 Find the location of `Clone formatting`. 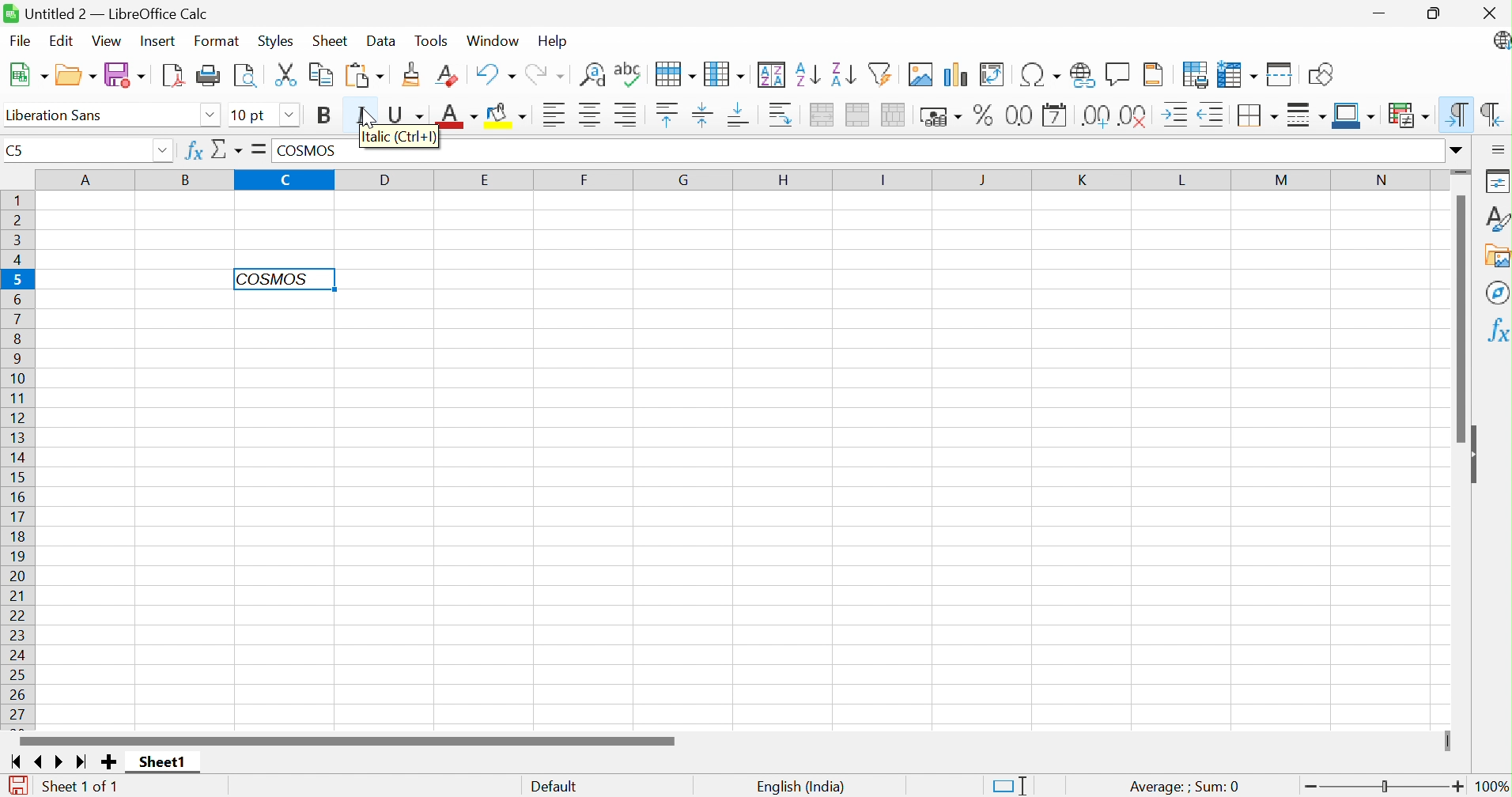

Clone formatting is located at coordinates (413, 72).